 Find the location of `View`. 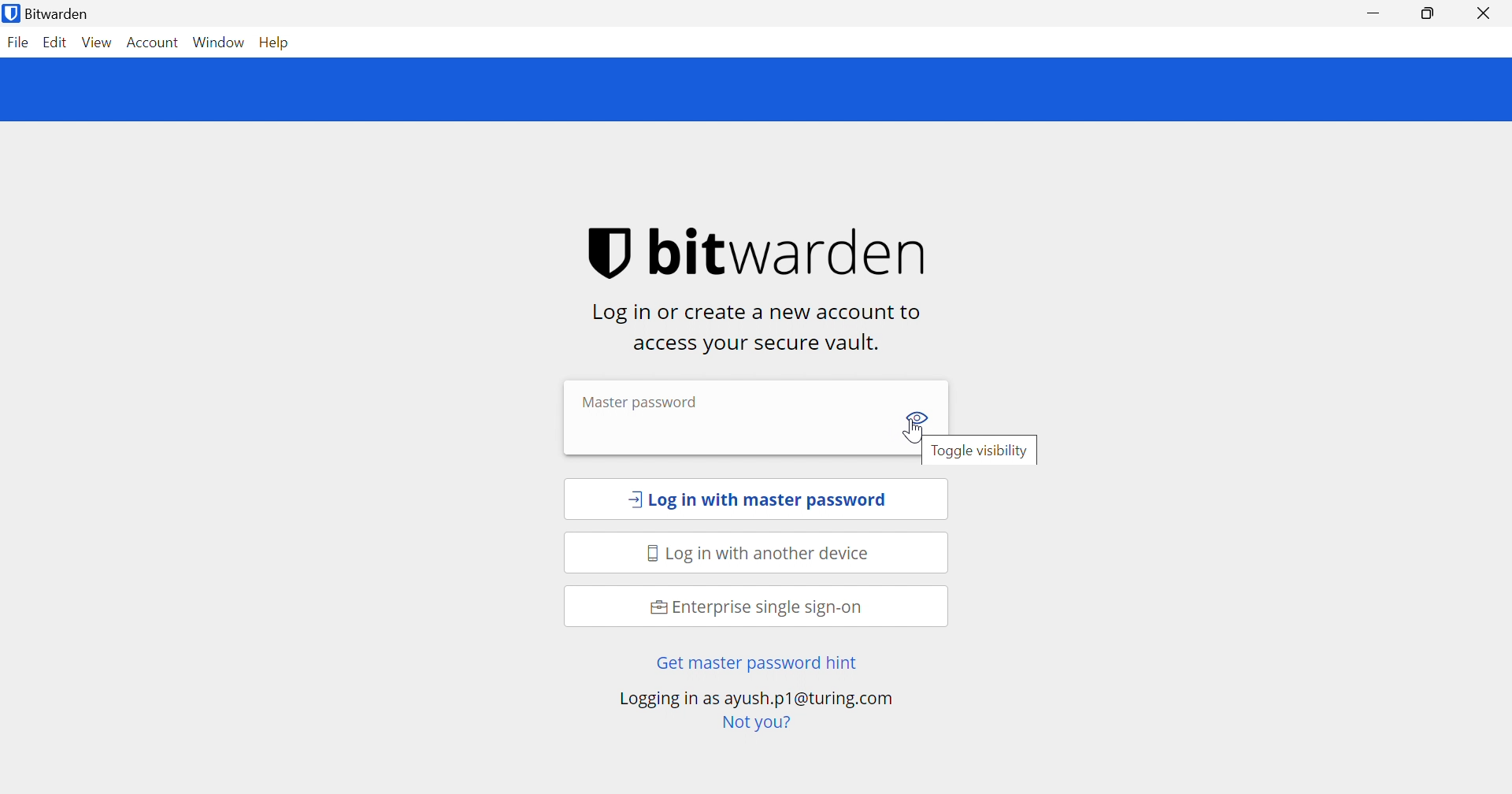

View is located at coordinates (98, 43).